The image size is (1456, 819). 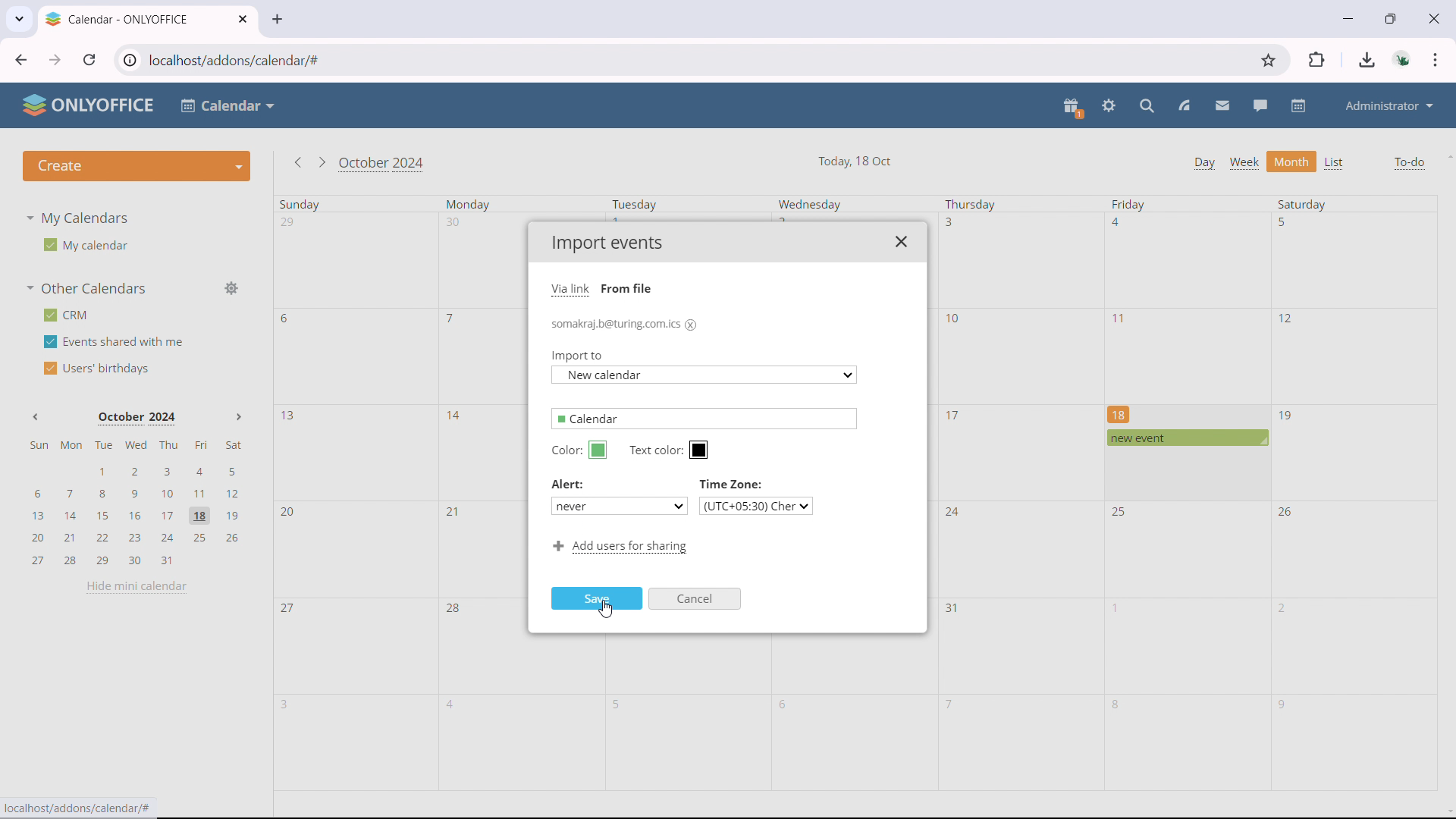 I want to click on maximize, so click(x=1391, y=17).